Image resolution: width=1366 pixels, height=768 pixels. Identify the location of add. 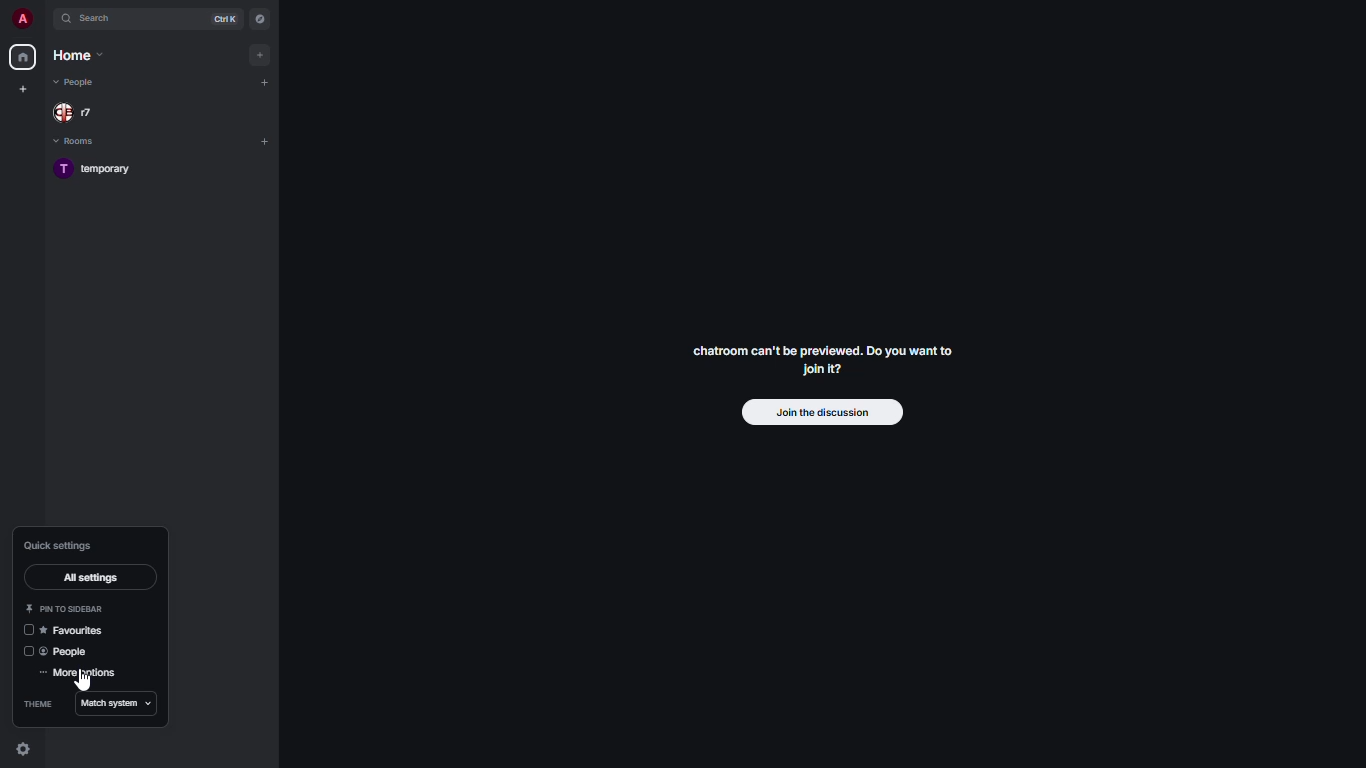
(265, 142).